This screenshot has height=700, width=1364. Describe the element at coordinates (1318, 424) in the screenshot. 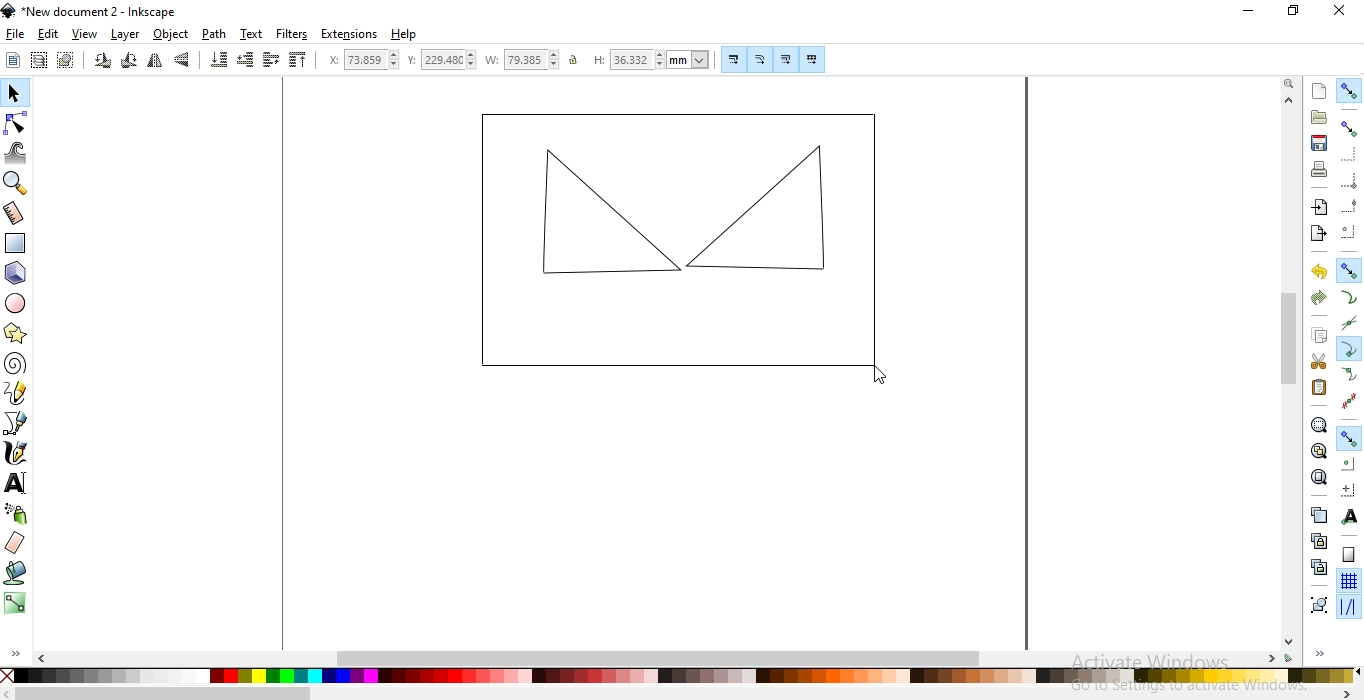

I see `zoom to fit selection` at that location.